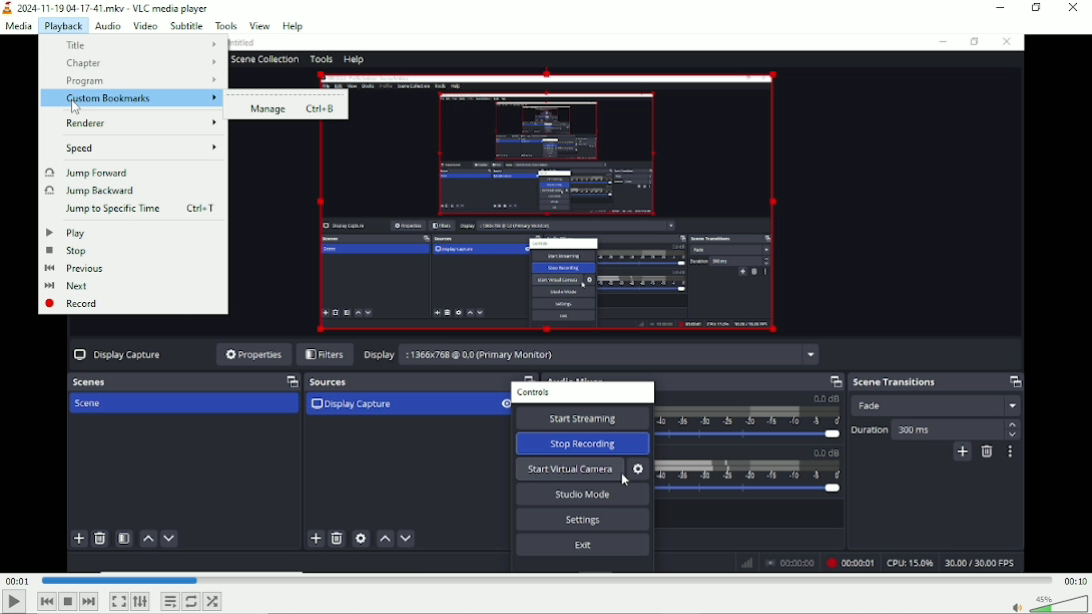 This screenshot has height=614, width=1092. I want to click on Previous, so click(46, 602).